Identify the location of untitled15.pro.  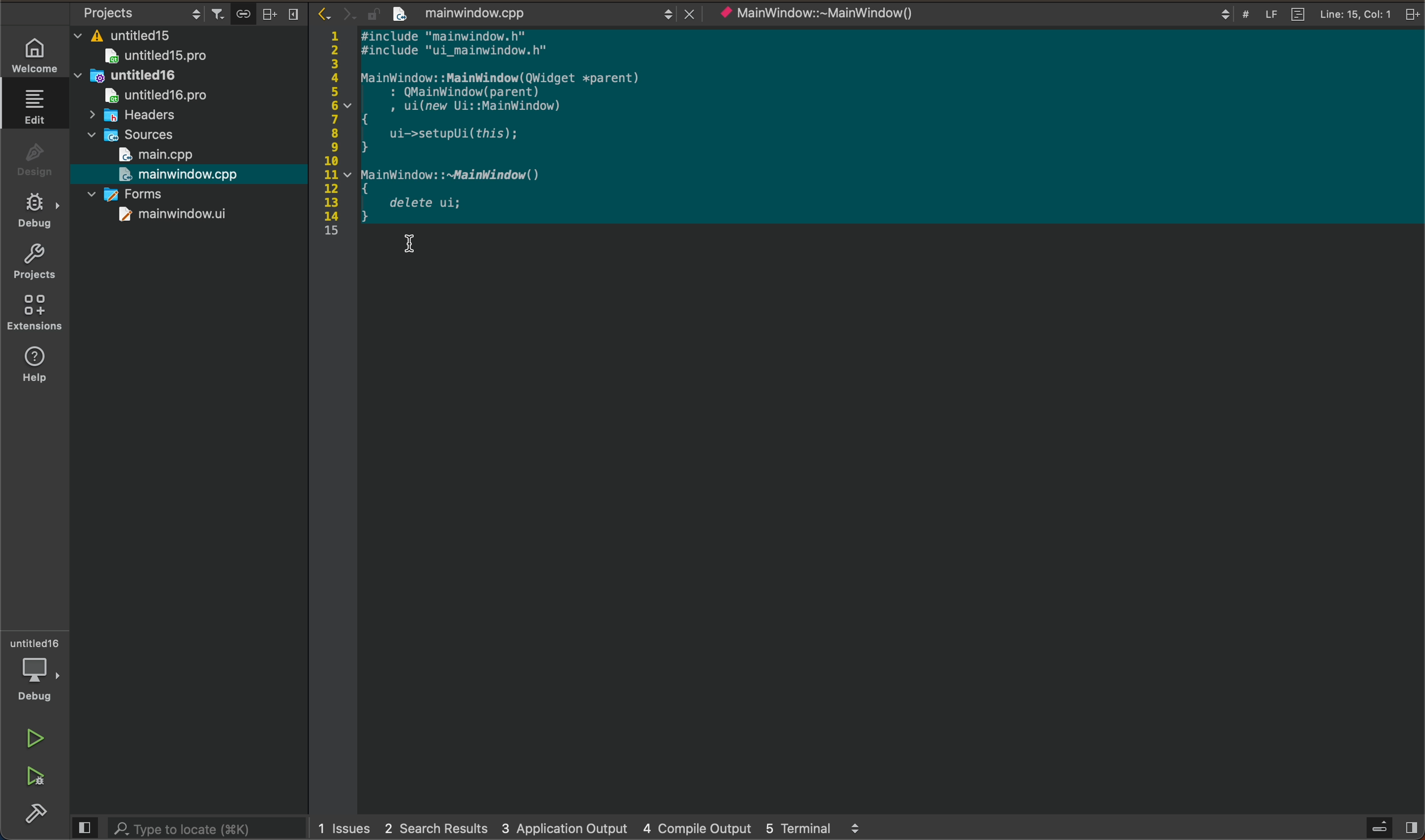
(188, 56).